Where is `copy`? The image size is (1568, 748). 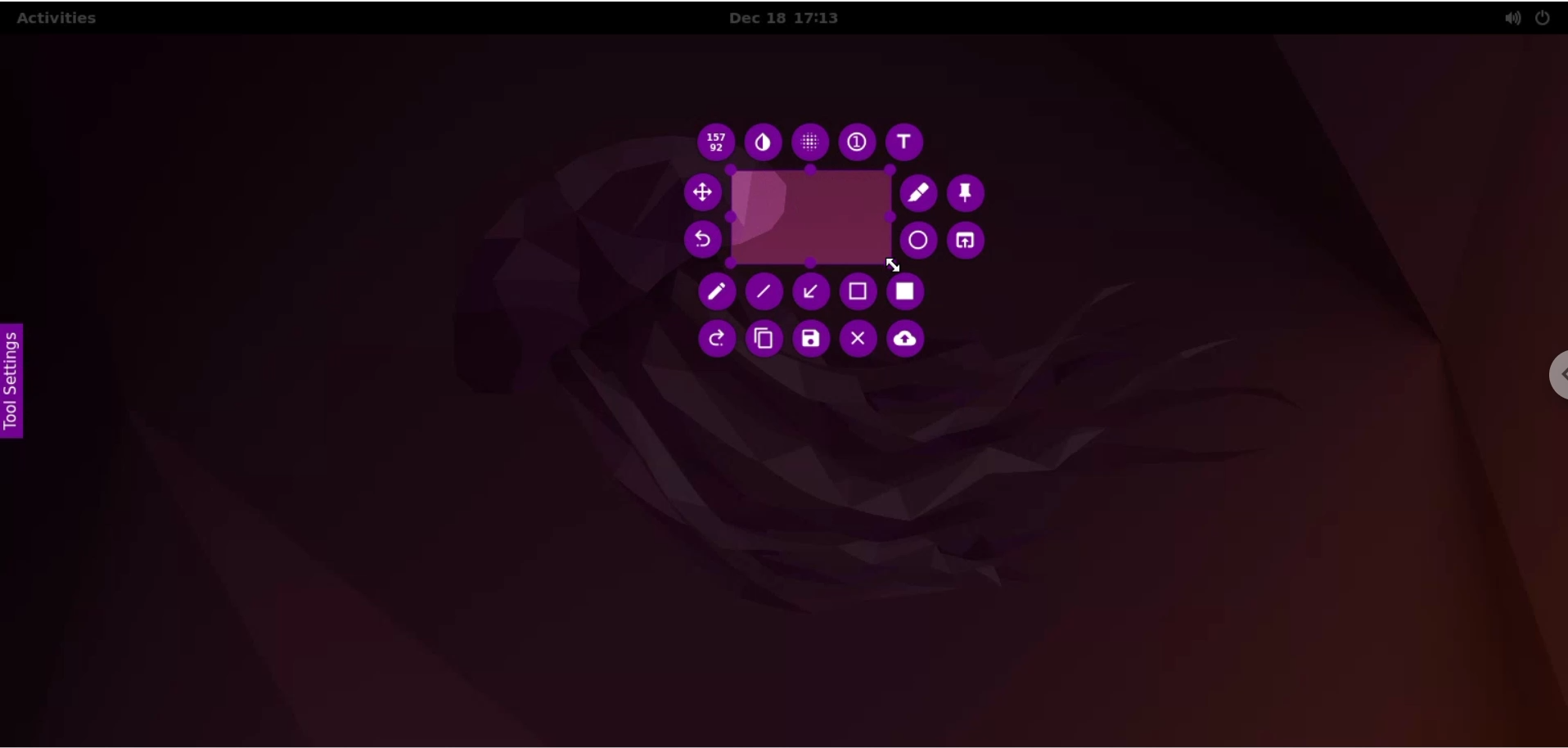 copy is located at coordinates (765, 340).